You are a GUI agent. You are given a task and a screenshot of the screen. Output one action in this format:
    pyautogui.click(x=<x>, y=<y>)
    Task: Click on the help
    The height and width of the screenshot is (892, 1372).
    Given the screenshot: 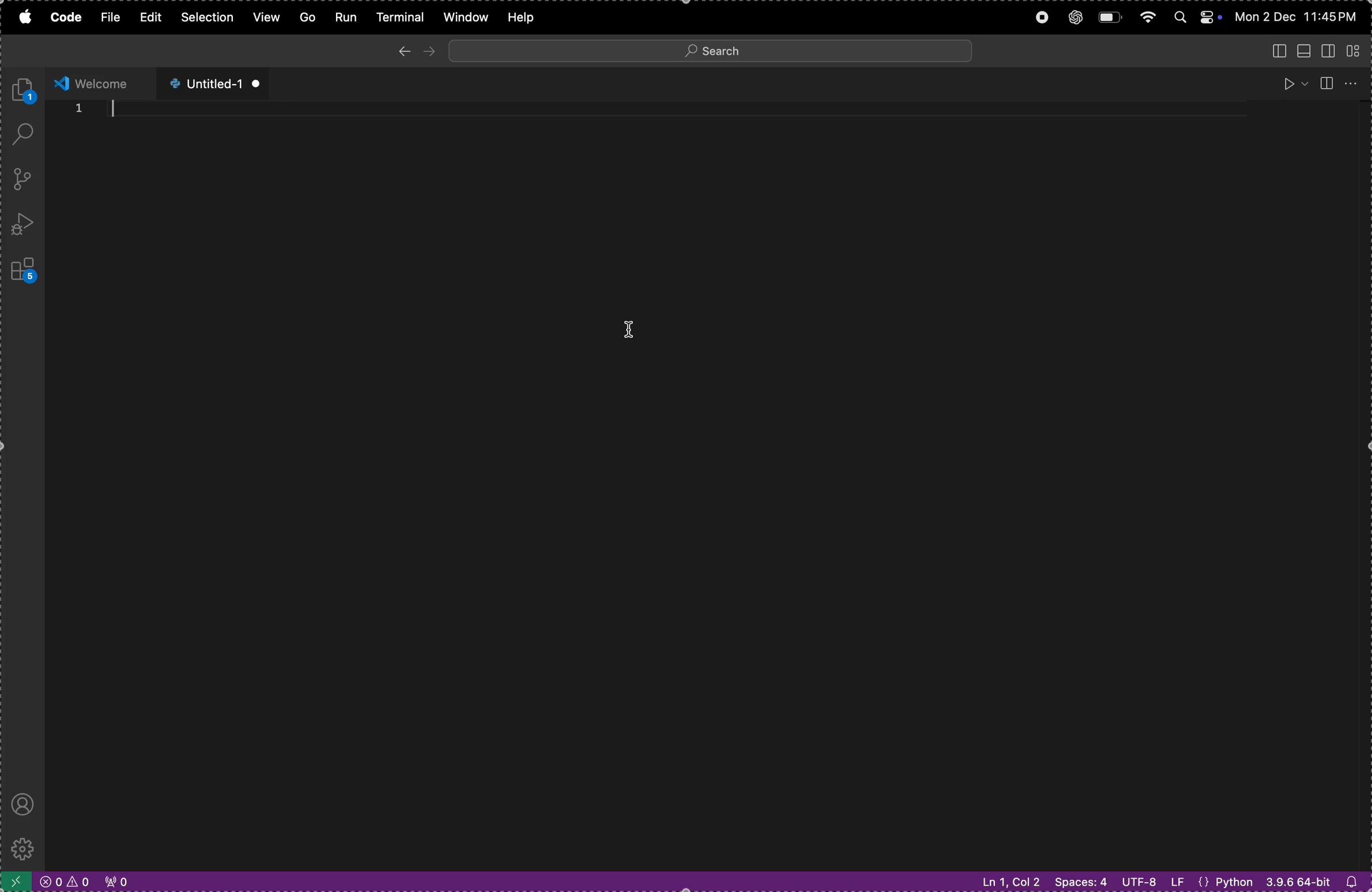 What is the action you would take?
    pyautogui.click(x=529, y=17)
    